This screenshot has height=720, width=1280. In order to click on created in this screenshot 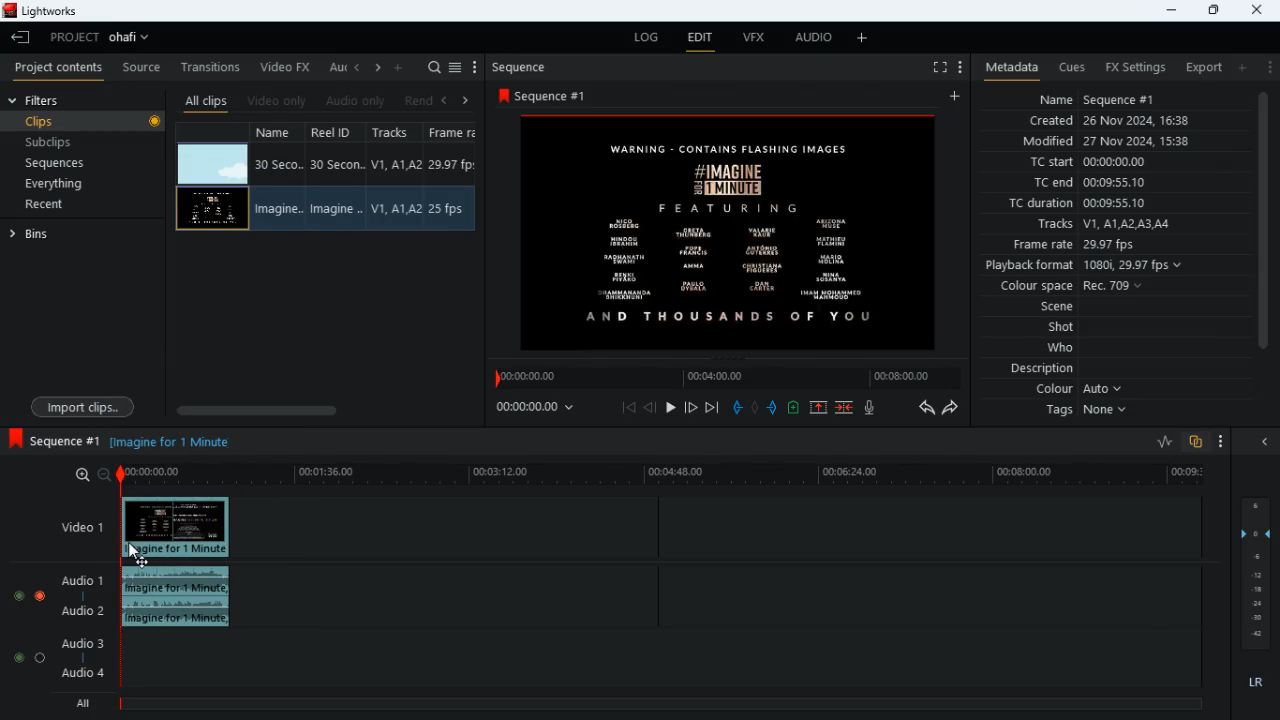, I will do `click(1106, 121)`.